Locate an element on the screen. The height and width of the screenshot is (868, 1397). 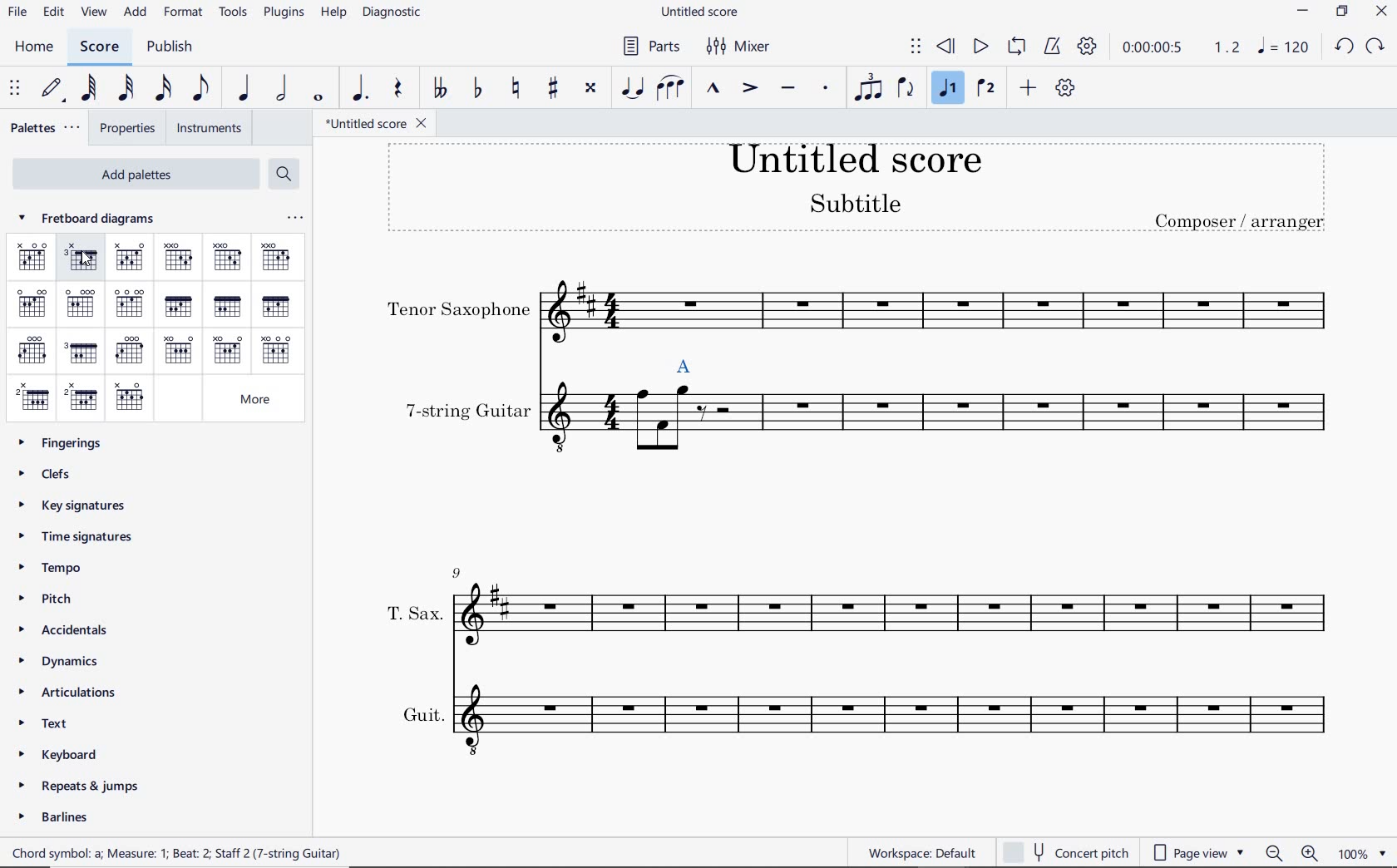
KEY SIGNATURES is located at coordinates (80, 508).